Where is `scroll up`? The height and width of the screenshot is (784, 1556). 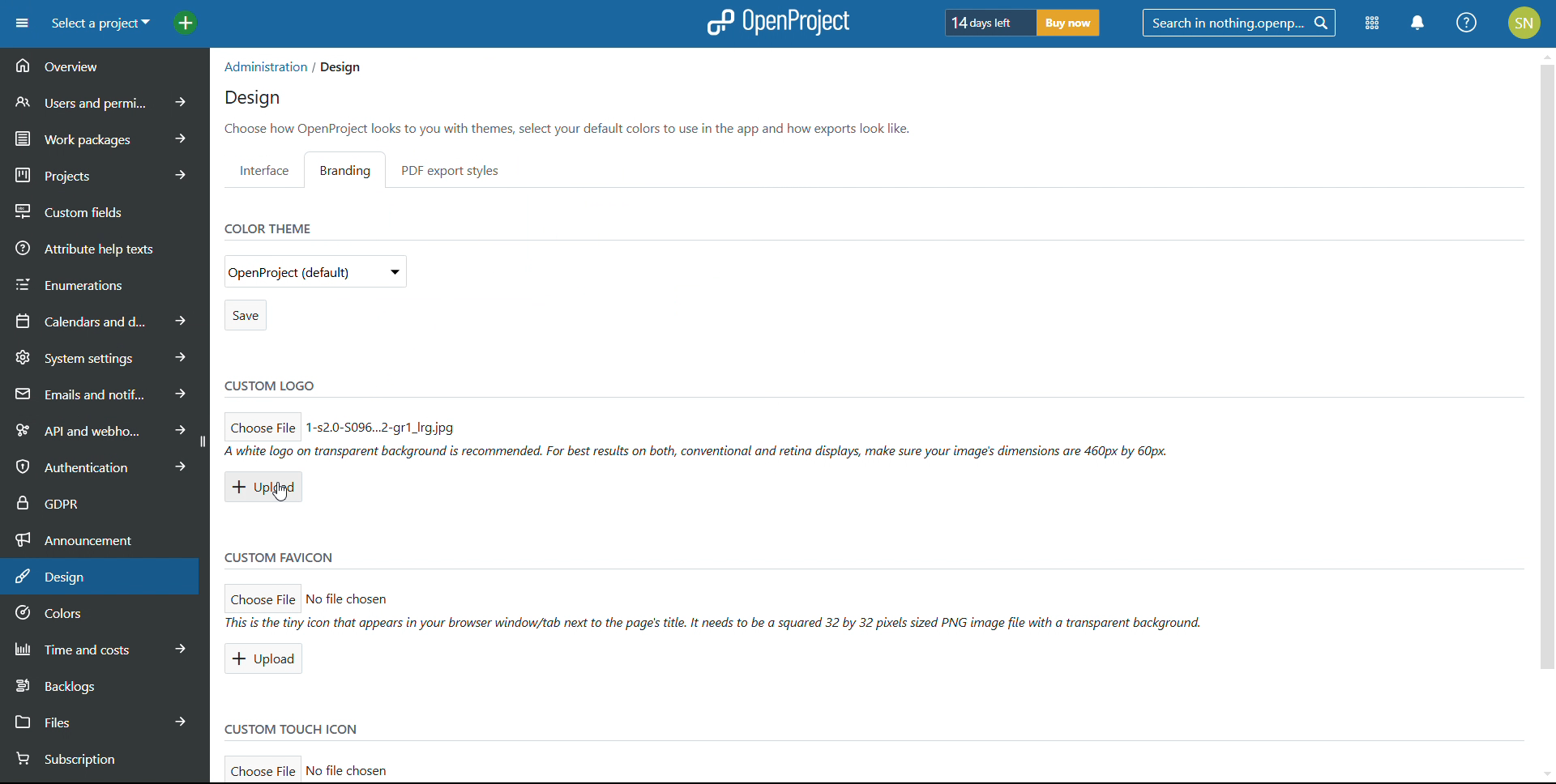 scroll up is located at coordinates (1546, 53).